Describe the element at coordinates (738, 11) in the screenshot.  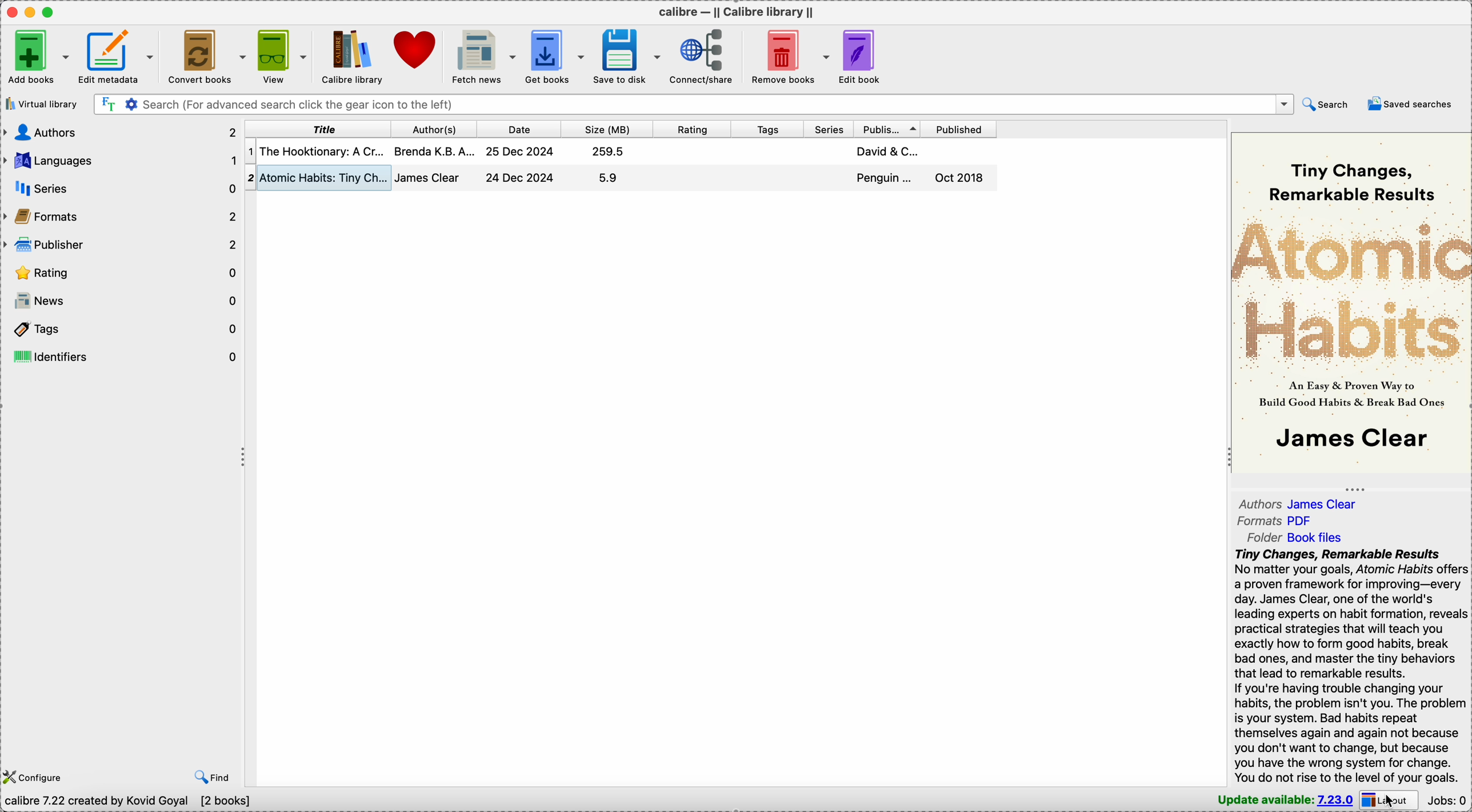
I see `Calibre - || calibre library ||` at that location.